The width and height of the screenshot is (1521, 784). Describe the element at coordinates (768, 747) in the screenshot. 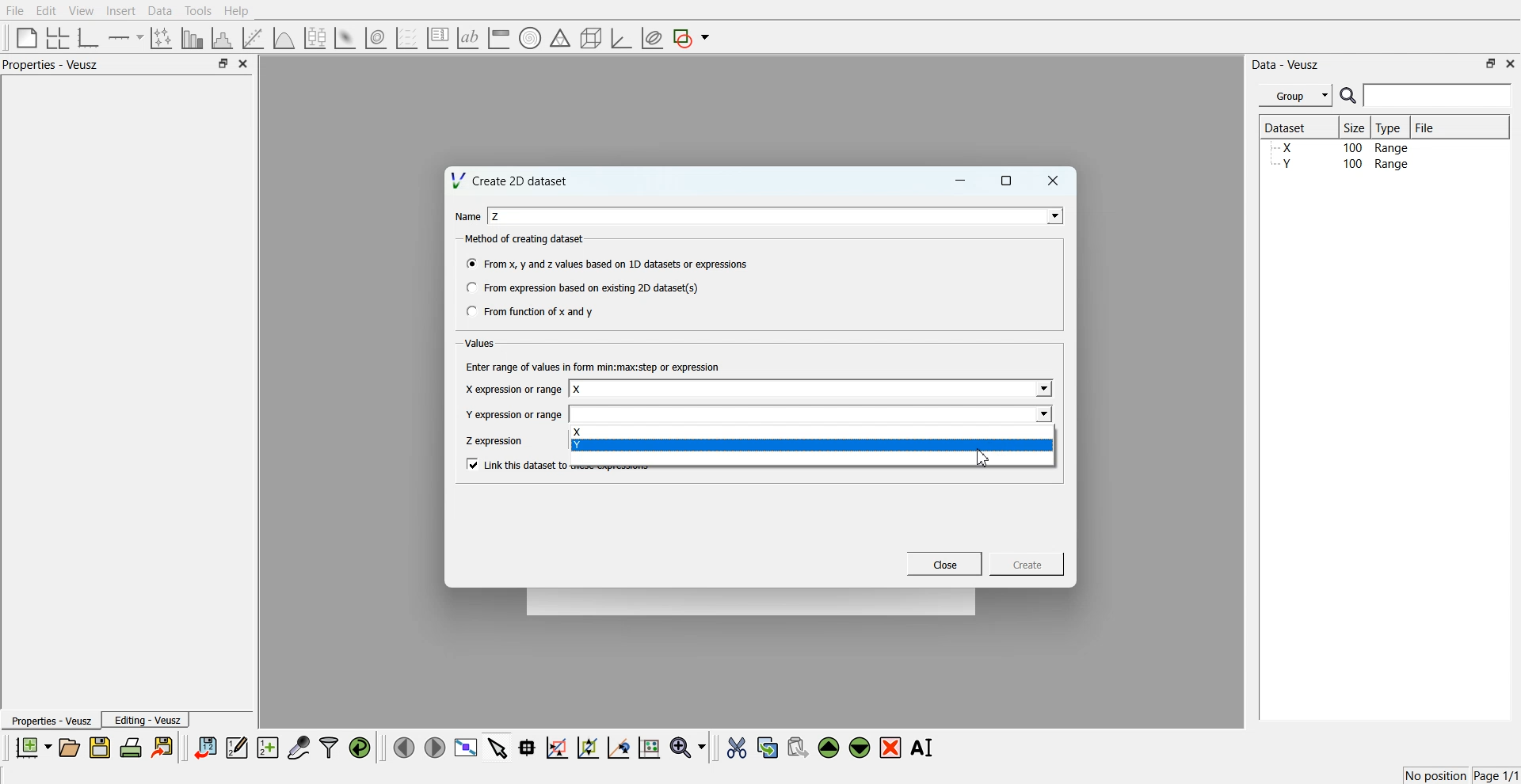

I see `Copy the selected widget` at that location.